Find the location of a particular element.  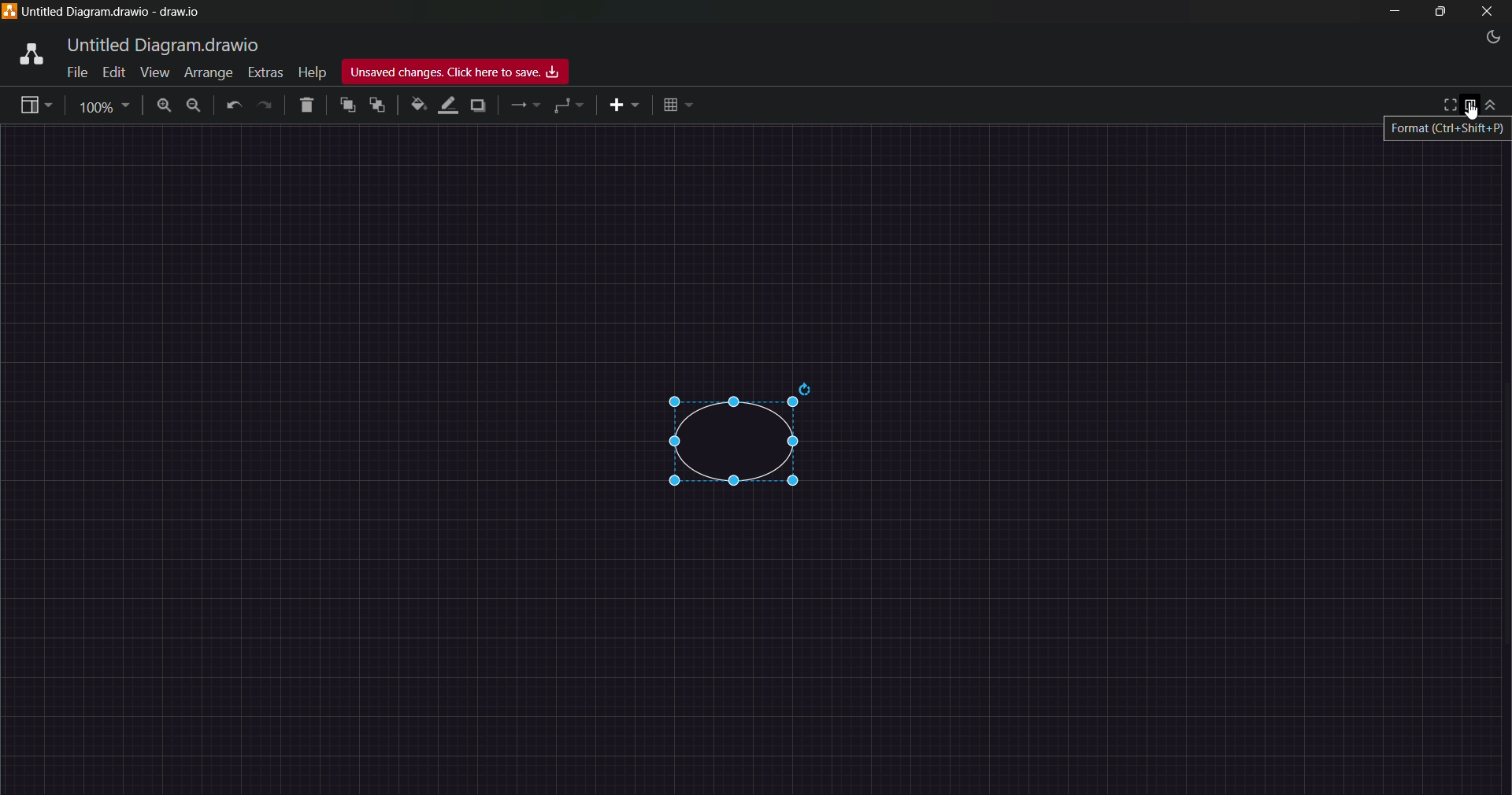

delete is located at coordinates (307, 107).